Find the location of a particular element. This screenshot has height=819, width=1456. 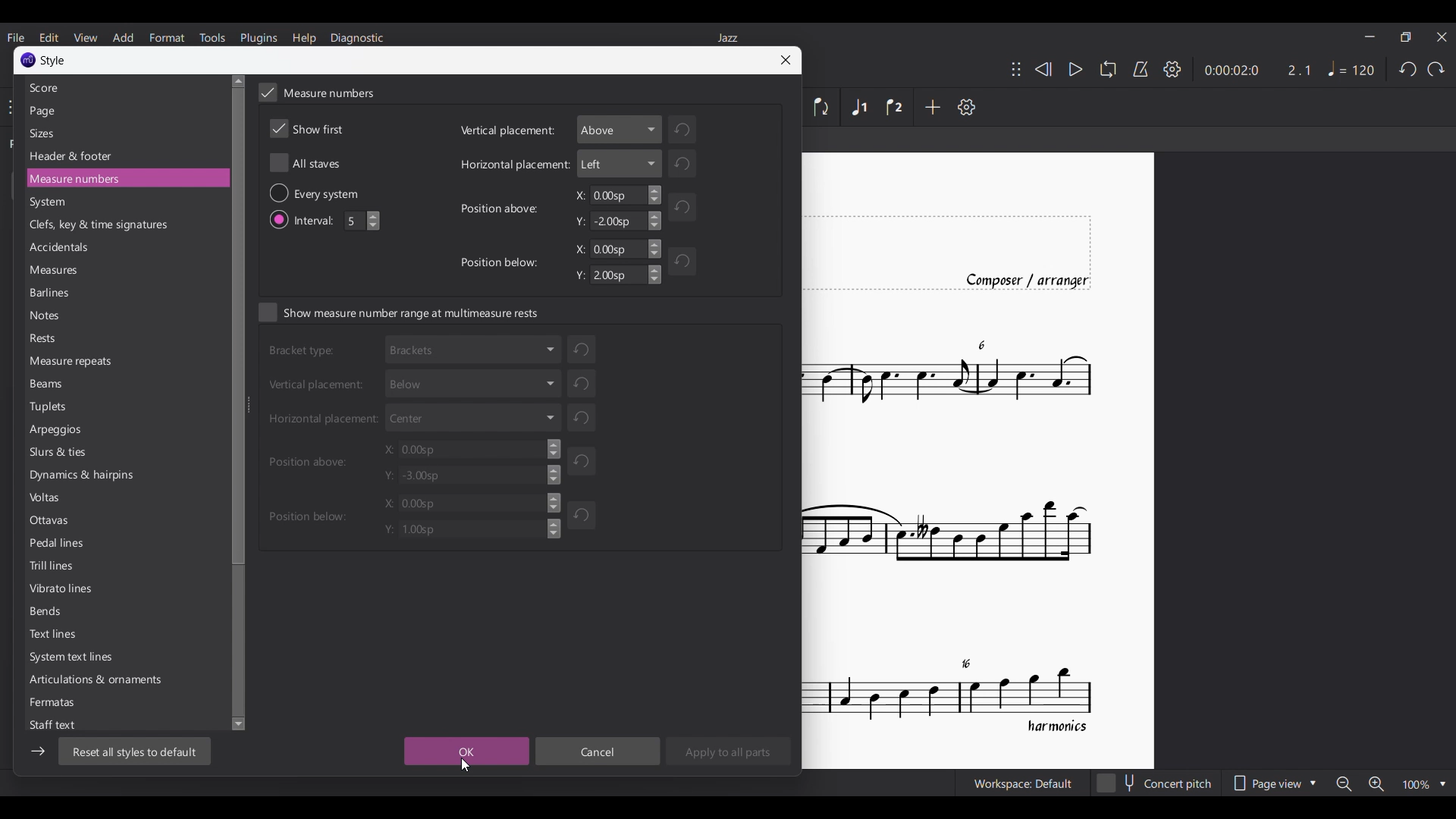

System is located at coordinates (51, 203).